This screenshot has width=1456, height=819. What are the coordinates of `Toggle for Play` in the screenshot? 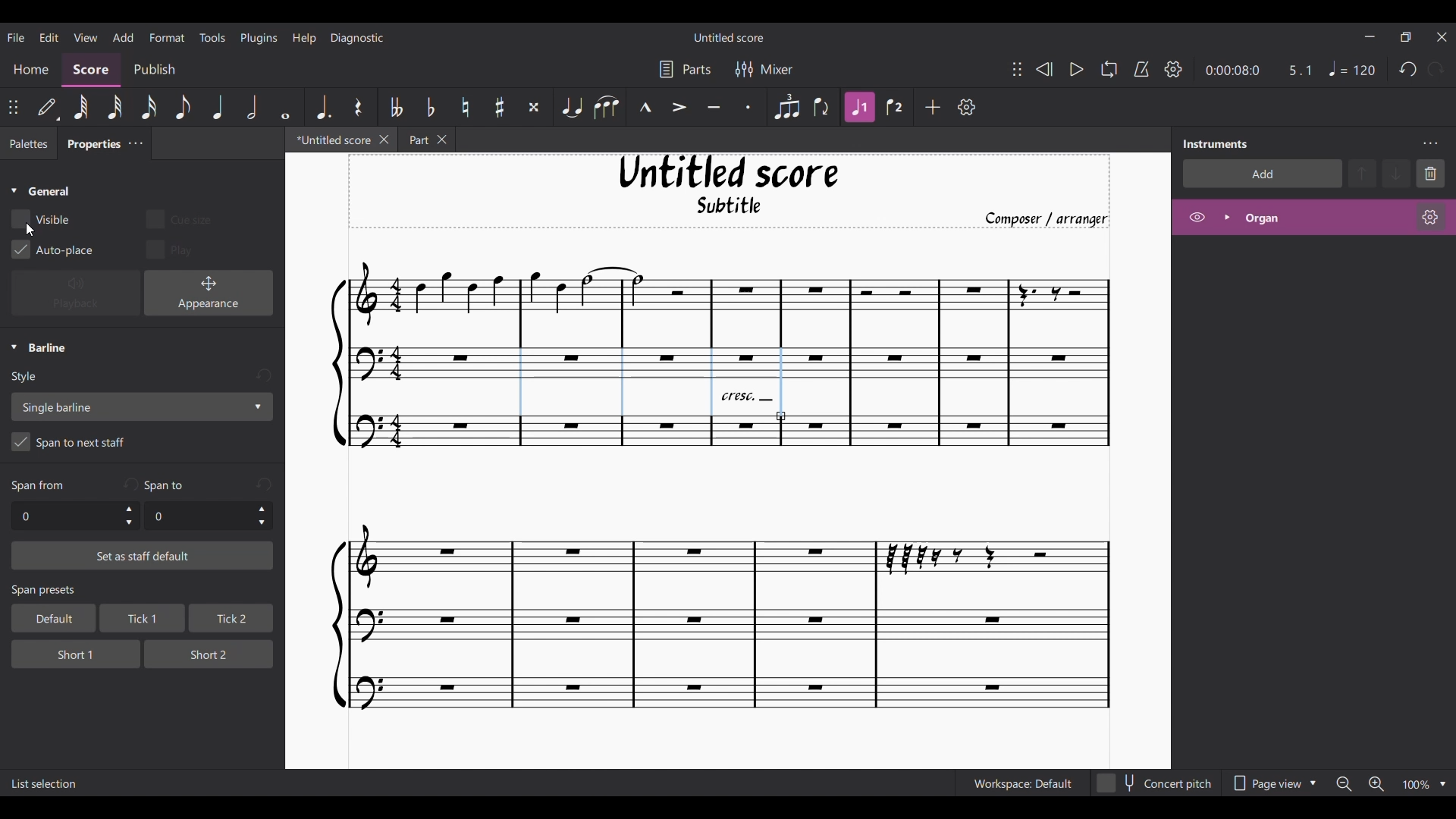 It's located at (171, 249).